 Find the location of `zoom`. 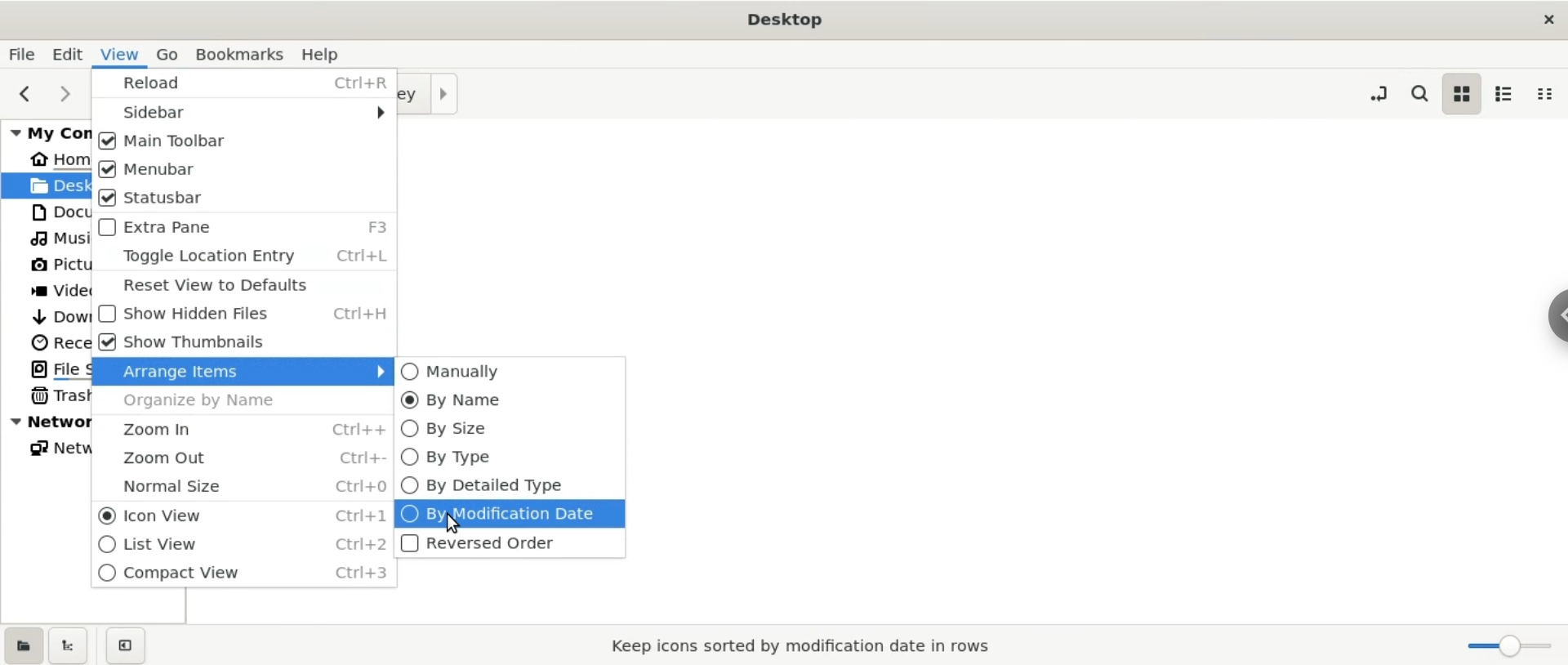

zoom is located at coordinates (1512, 646).